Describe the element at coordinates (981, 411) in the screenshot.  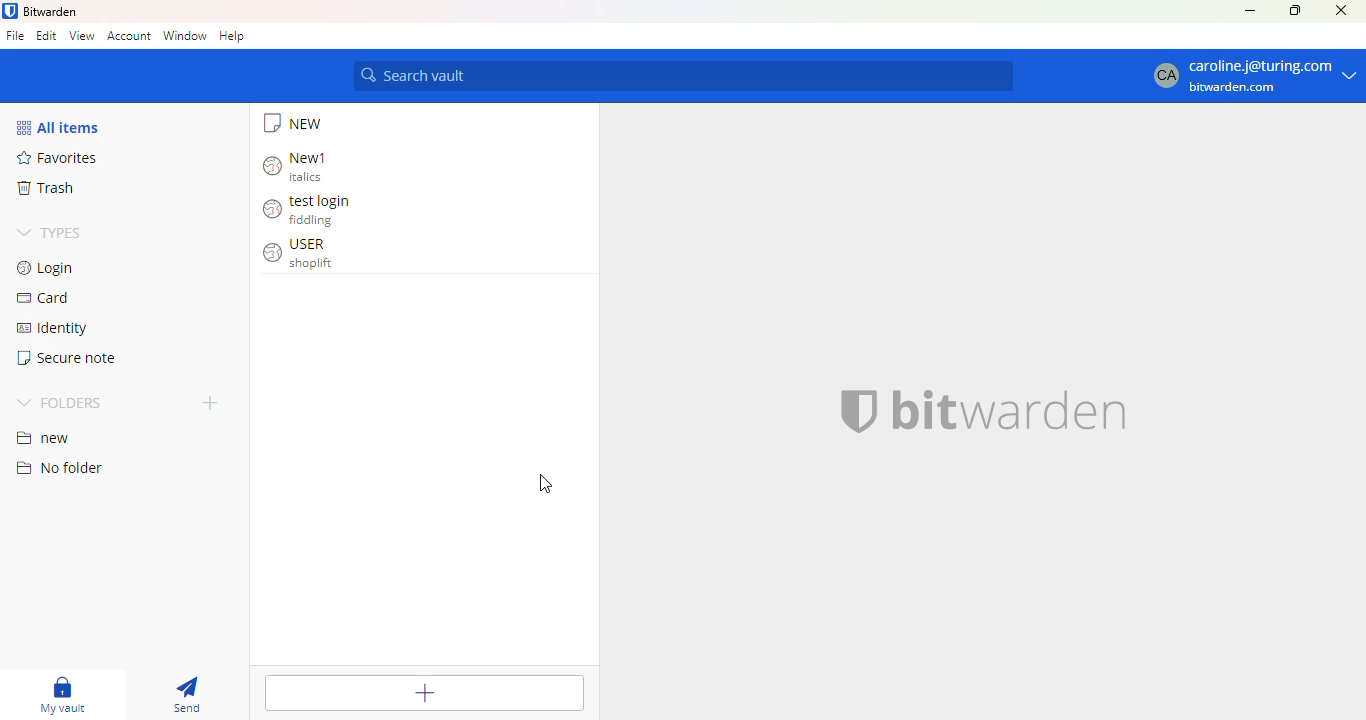
I see `bitwarden` at that location.